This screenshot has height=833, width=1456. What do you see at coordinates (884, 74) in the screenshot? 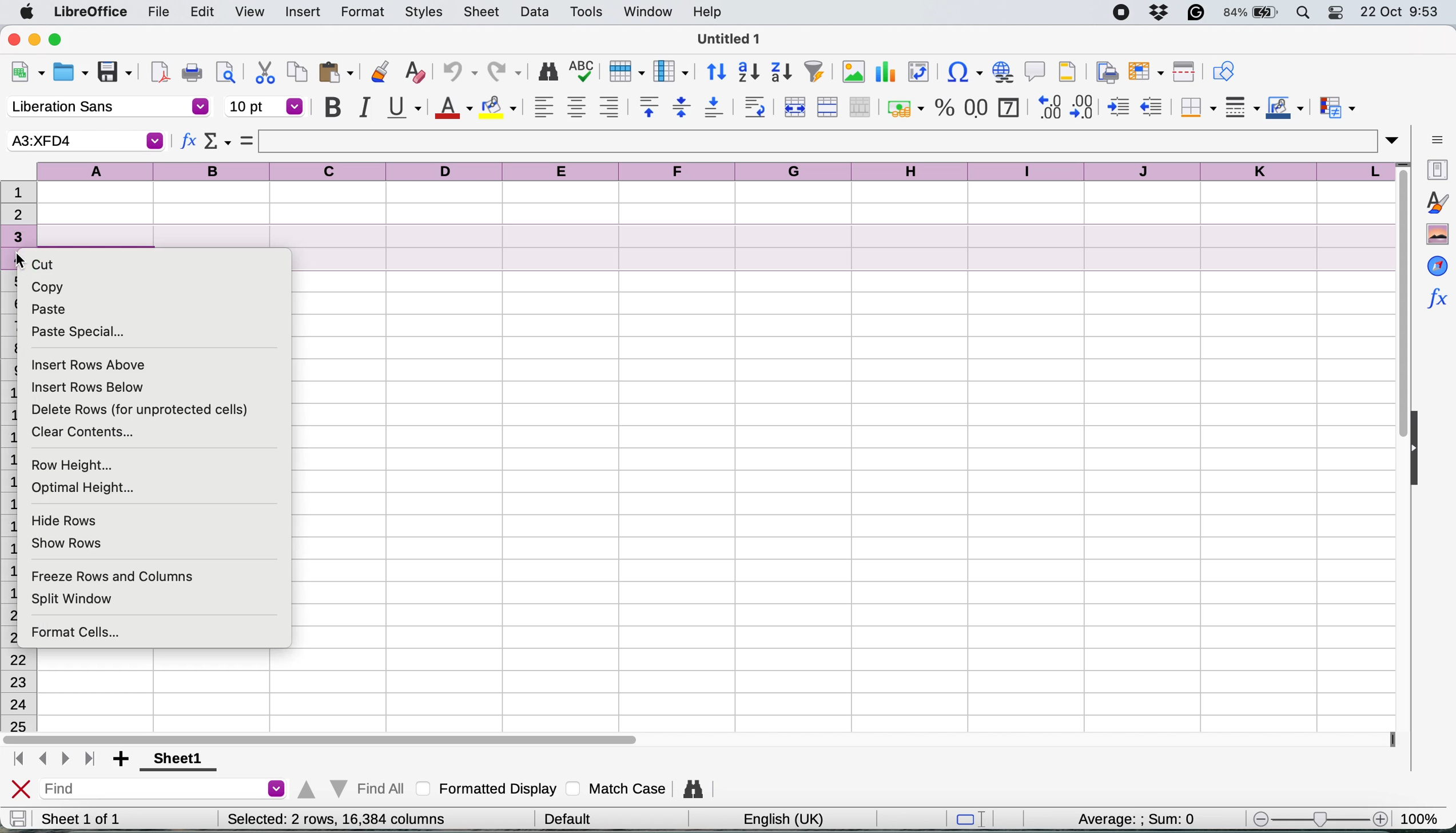
I see `insert chart` at bounding box center [884, 74].